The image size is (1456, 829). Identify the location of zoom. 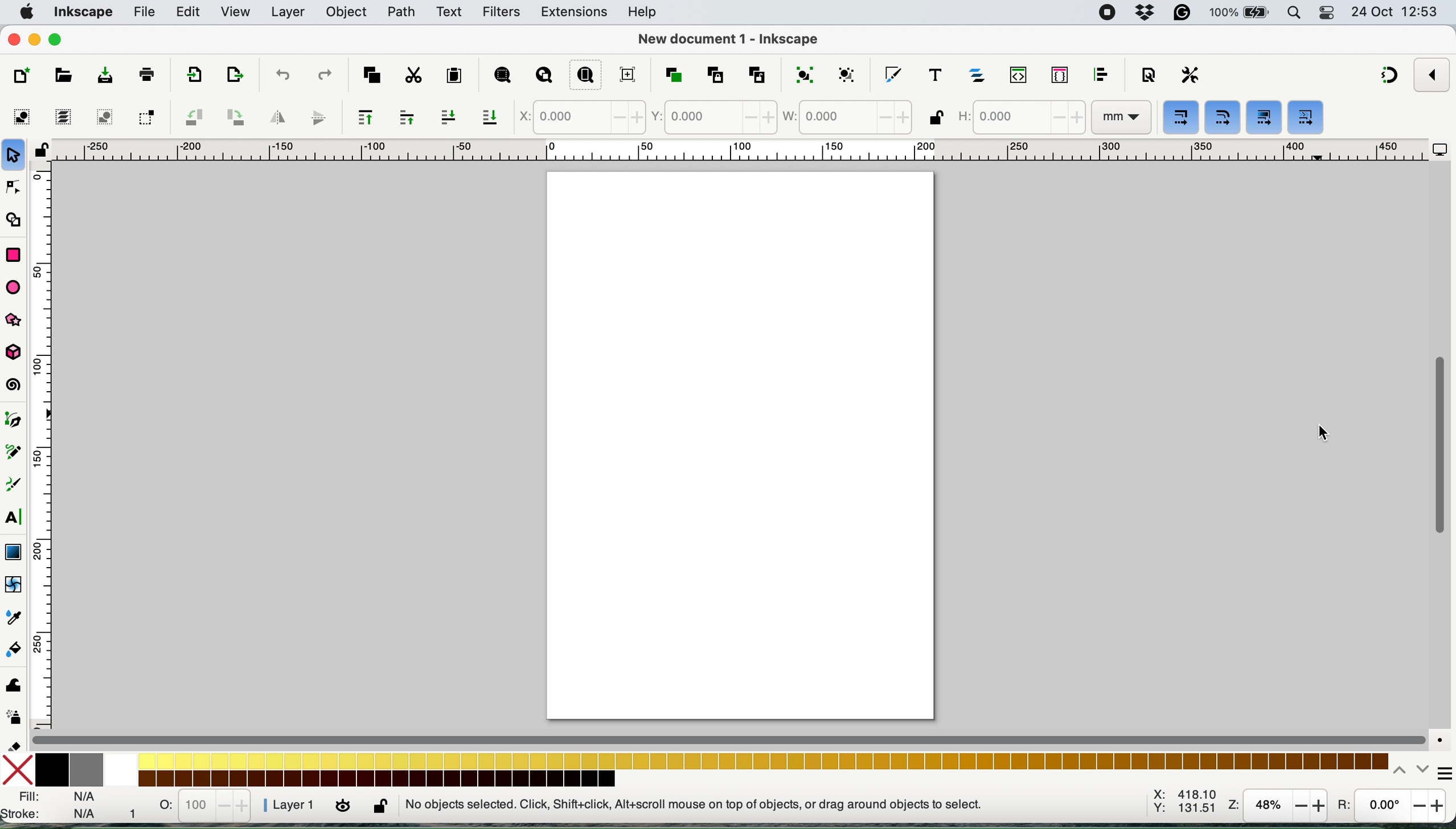
(1279, 805).